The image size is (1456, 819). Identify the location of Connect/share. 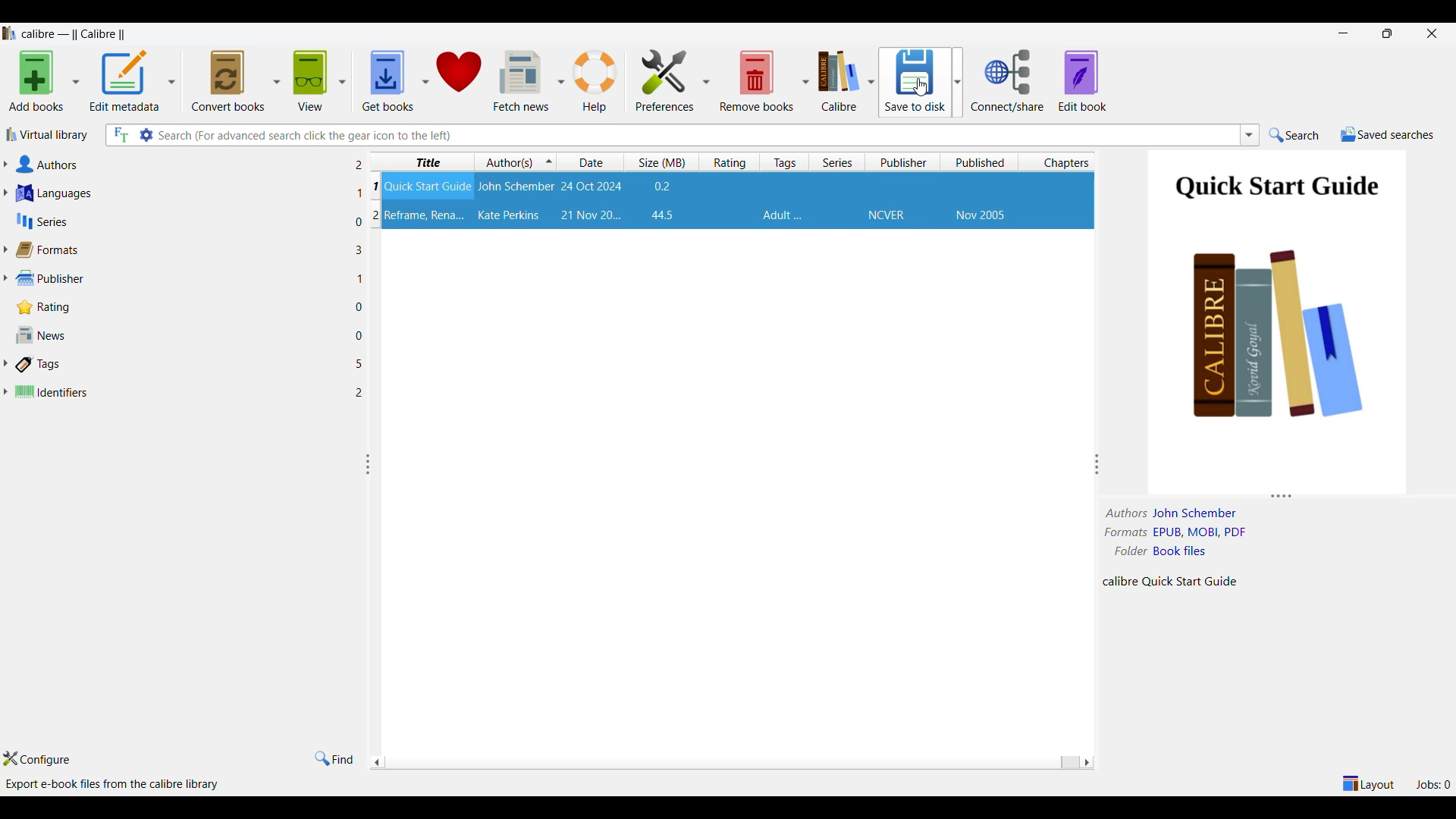
(1009, 81).